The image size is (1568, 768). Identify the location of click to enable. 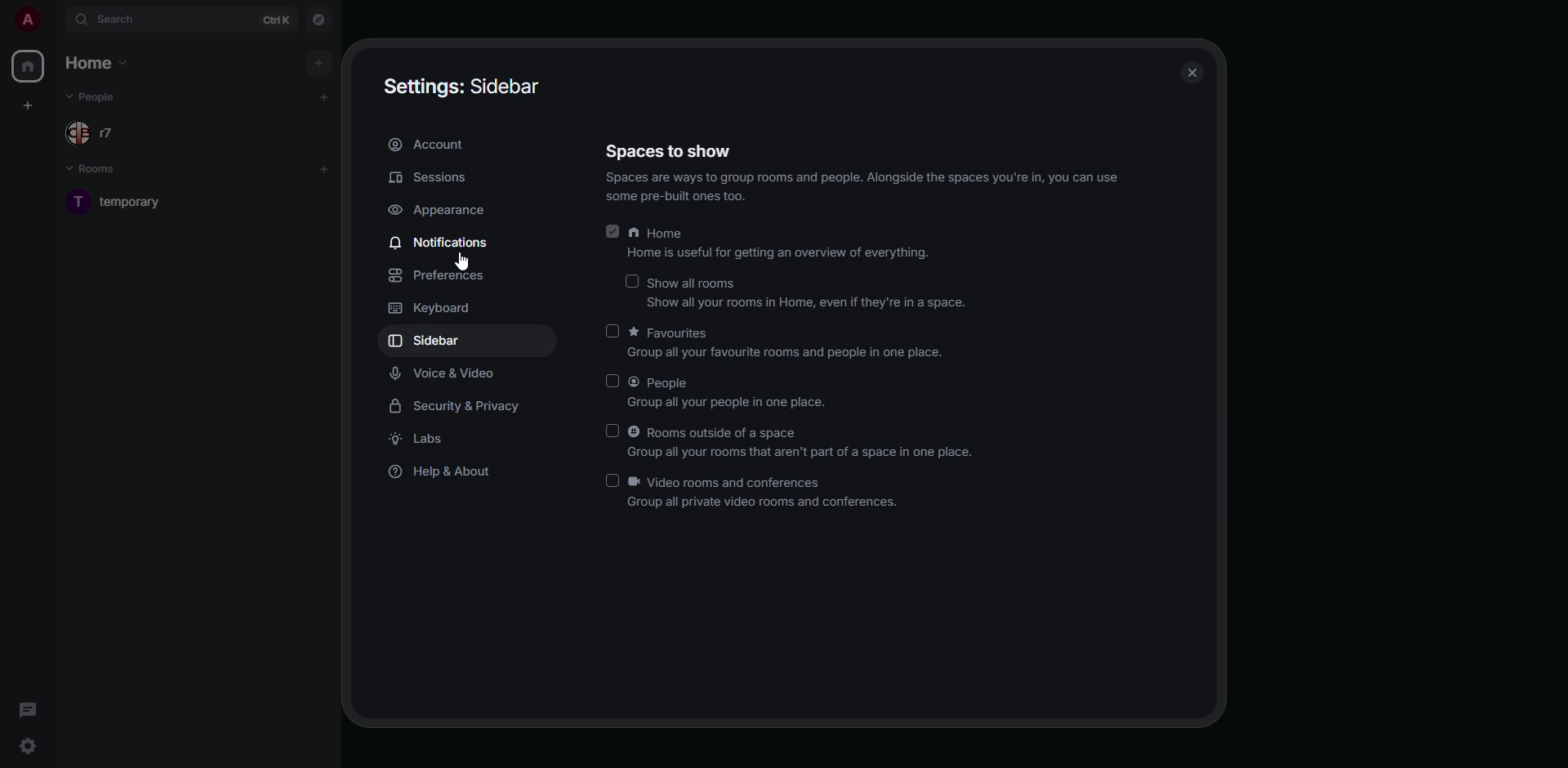
(610, 482).